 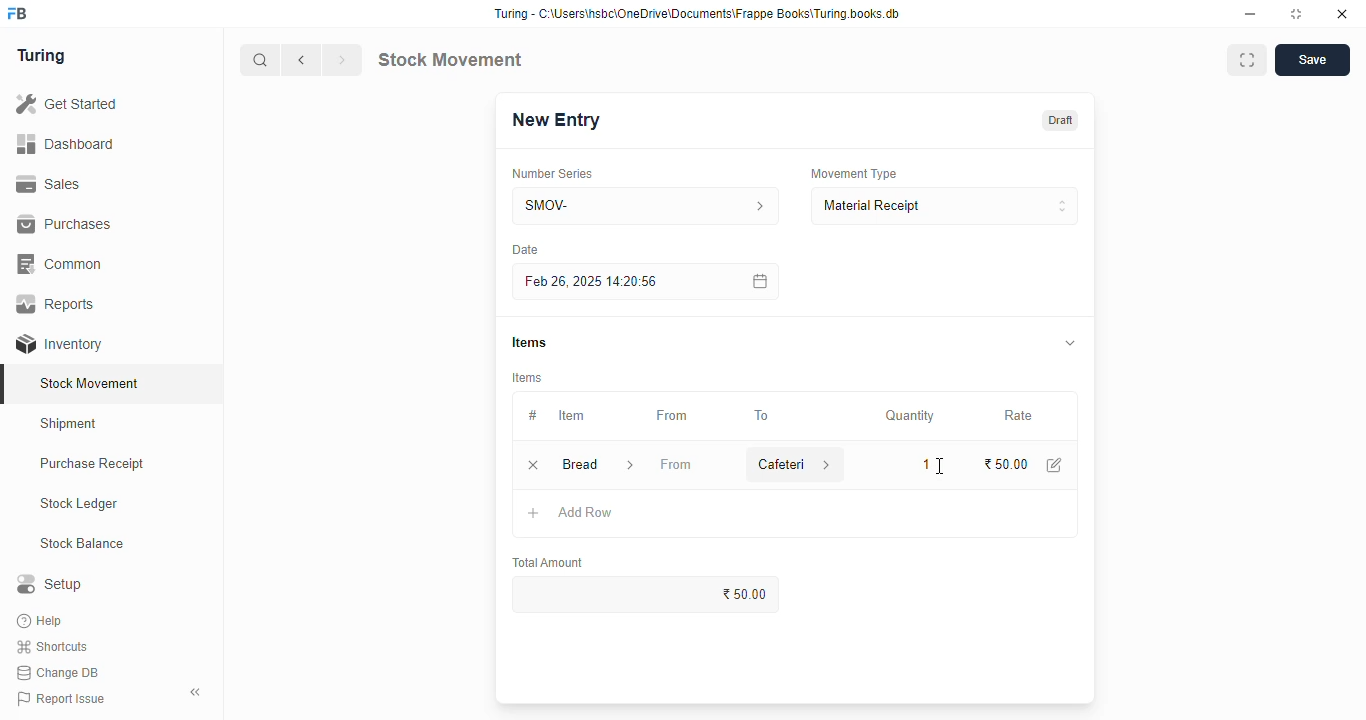 I want to click on help, so click(x=42, y=621).